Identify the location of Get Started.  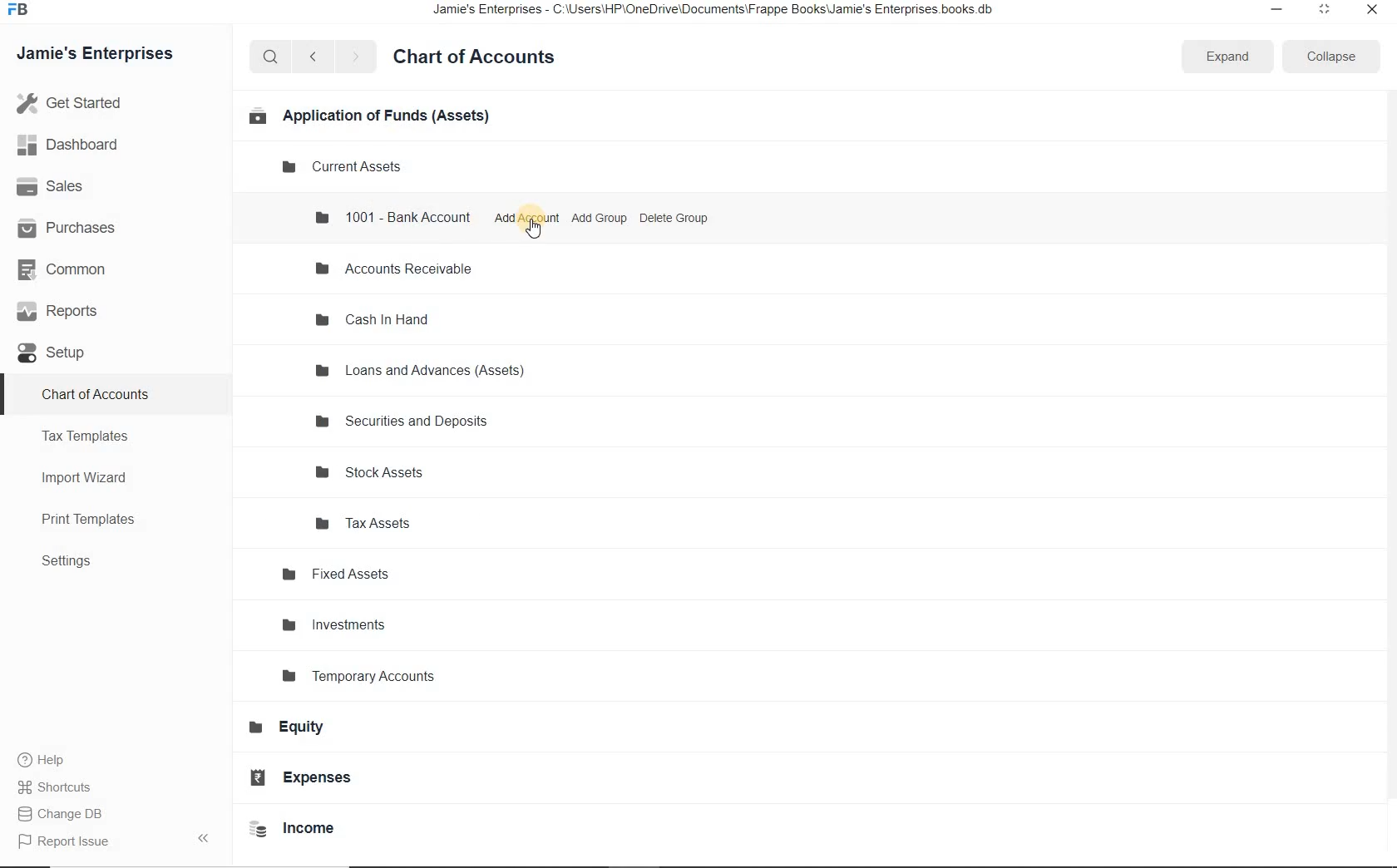
(106, 103).